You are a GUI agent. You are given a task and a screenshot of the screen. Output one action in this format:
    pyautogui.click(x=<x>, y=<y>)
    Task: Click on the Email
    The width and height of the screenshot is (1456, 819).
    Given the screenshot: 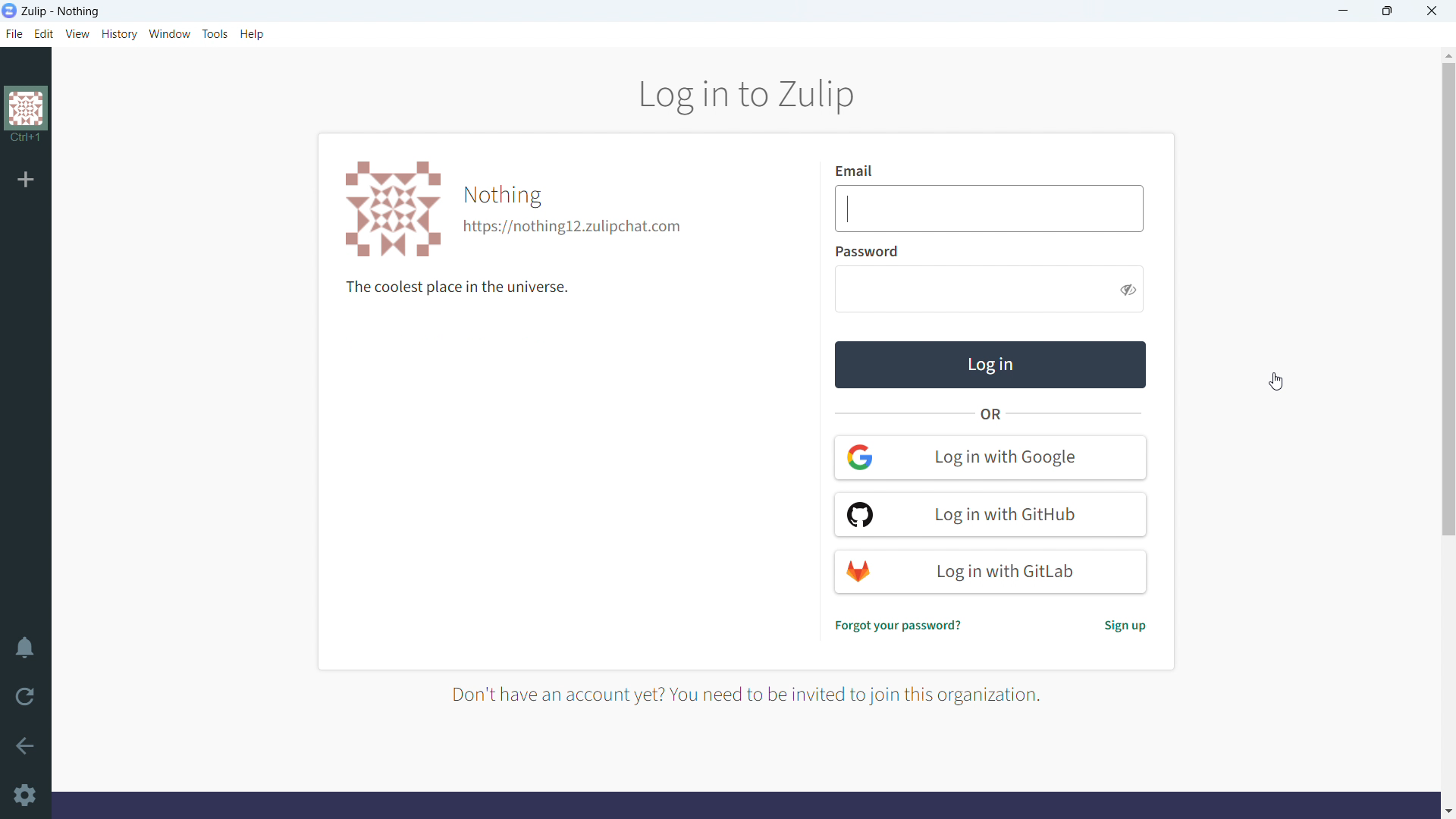 What is the action you would take?
    pyautogui.click(x=865, y=171)
    